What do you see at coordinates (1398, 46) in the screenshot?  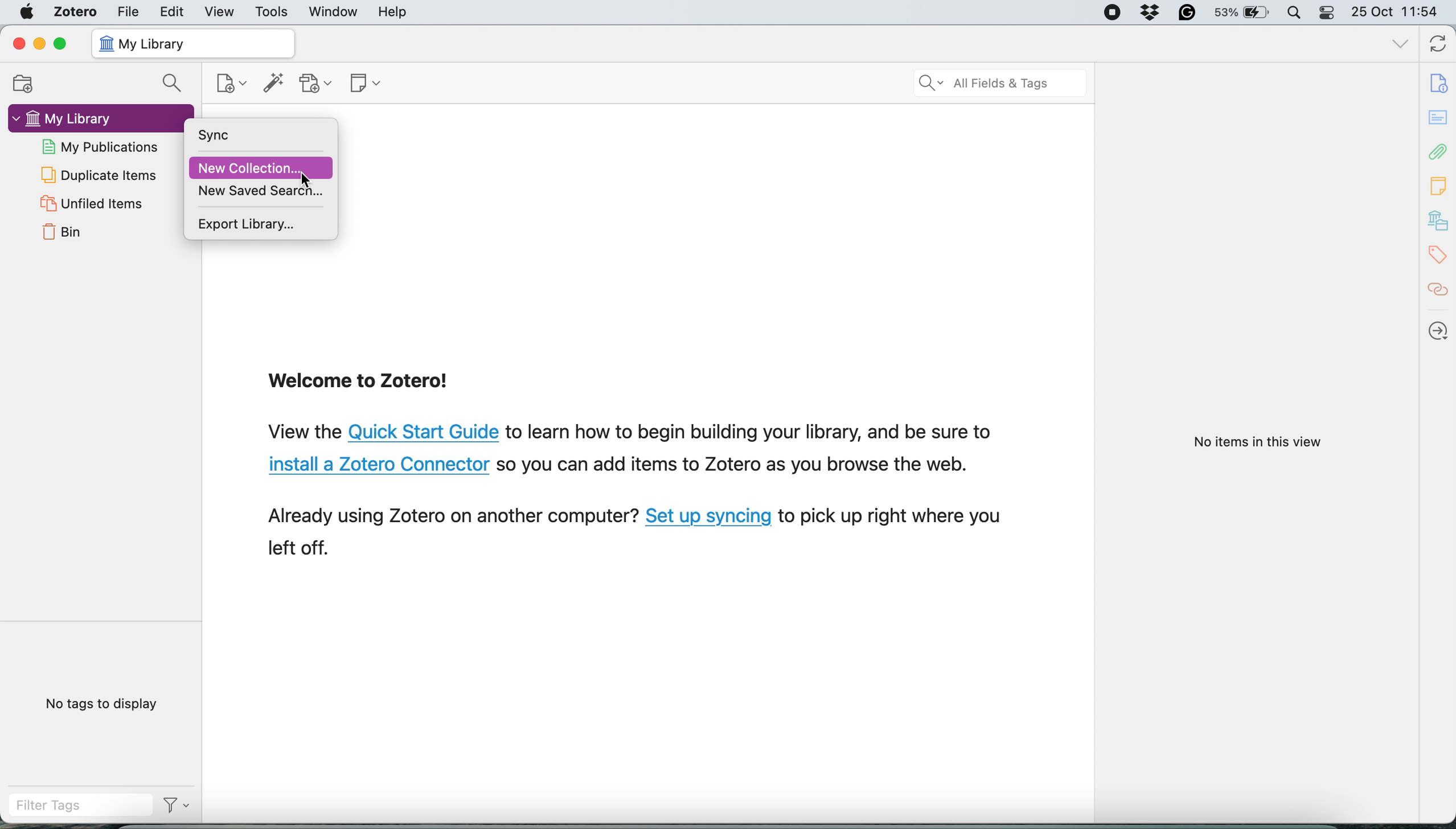 I see `list all tabs` at bounding box center [1398, 46].